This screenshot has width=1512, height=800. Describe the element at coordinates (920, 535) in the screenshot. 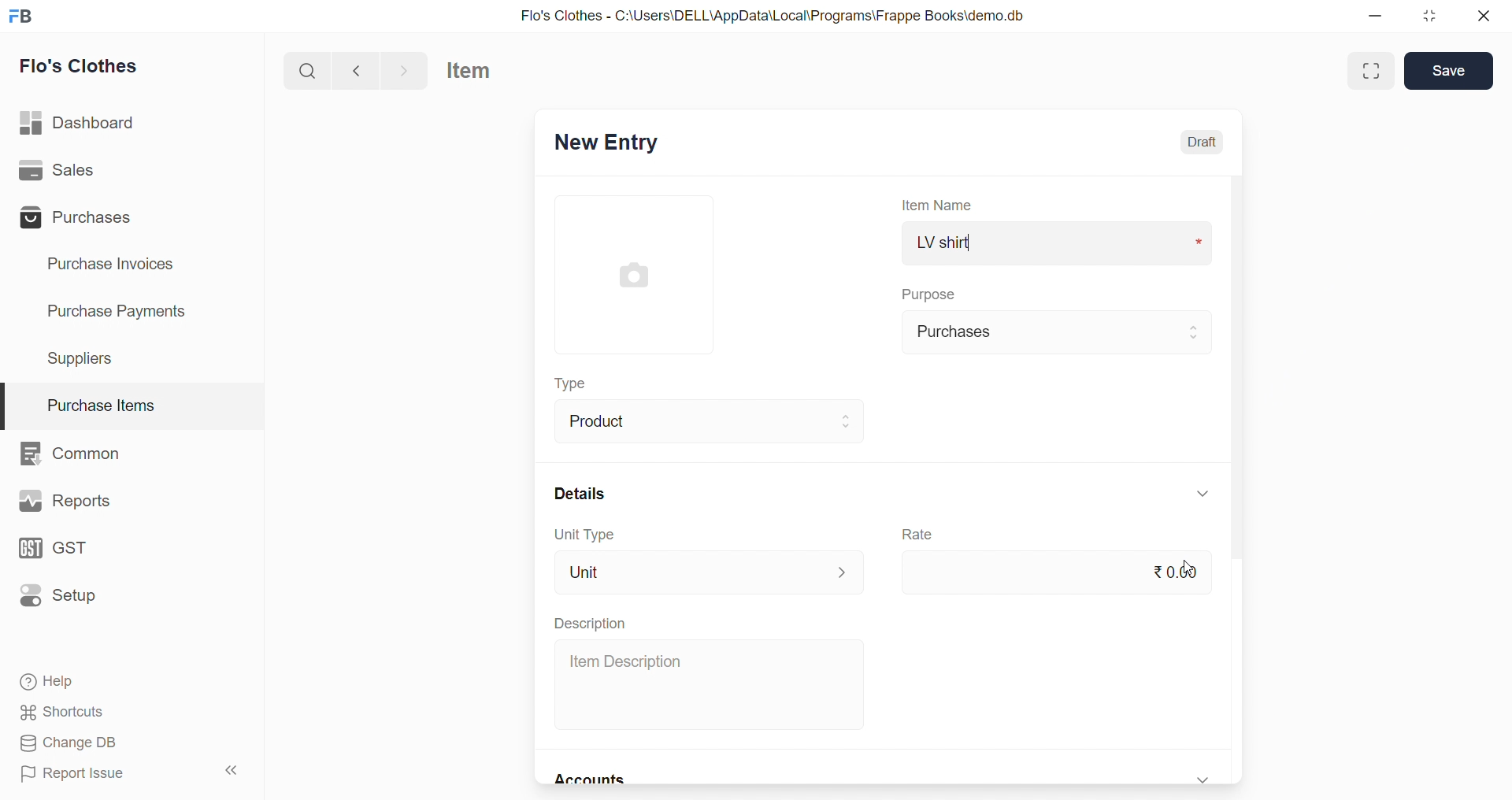

I see `Rate` at that location.